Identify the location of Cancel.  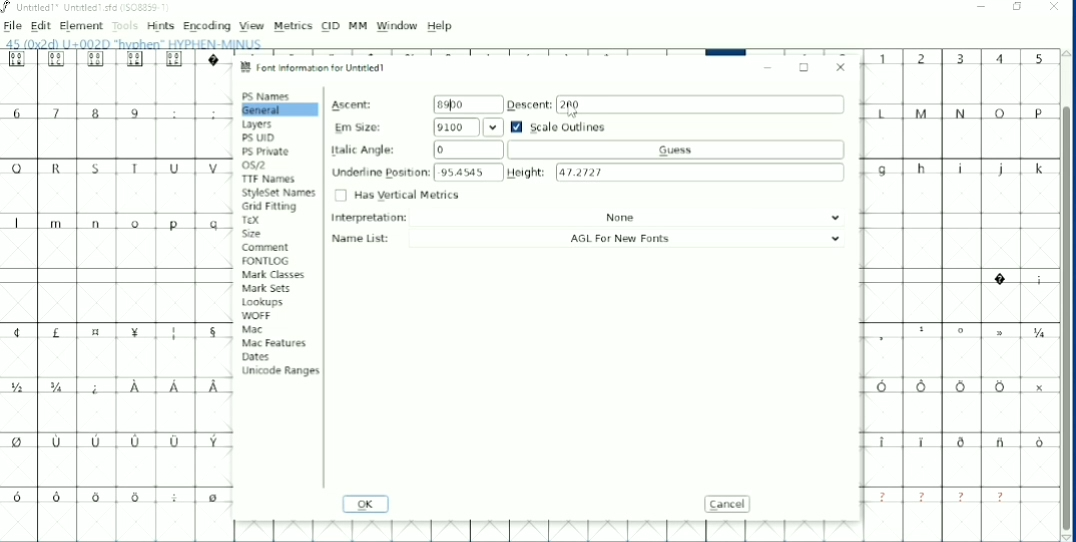
(730, 504).